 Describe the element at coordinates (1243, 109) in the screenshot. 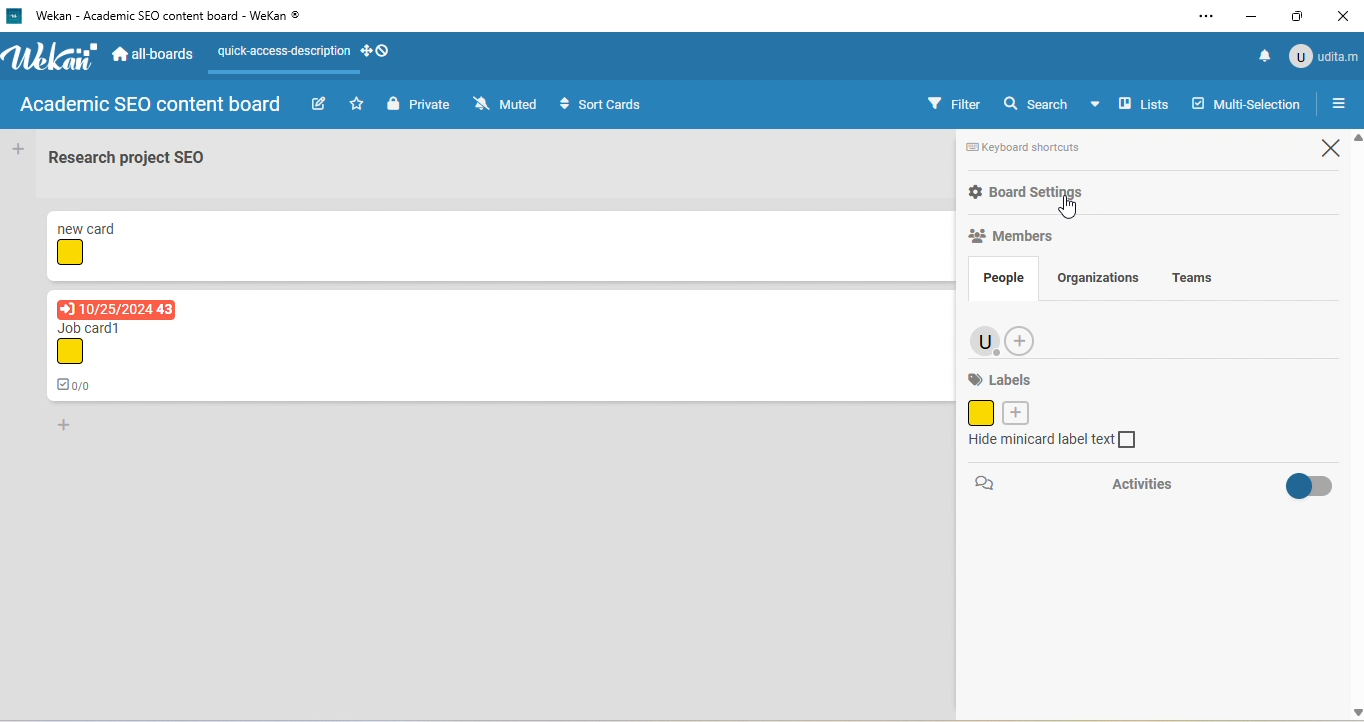

I see `multi selection` at that location.